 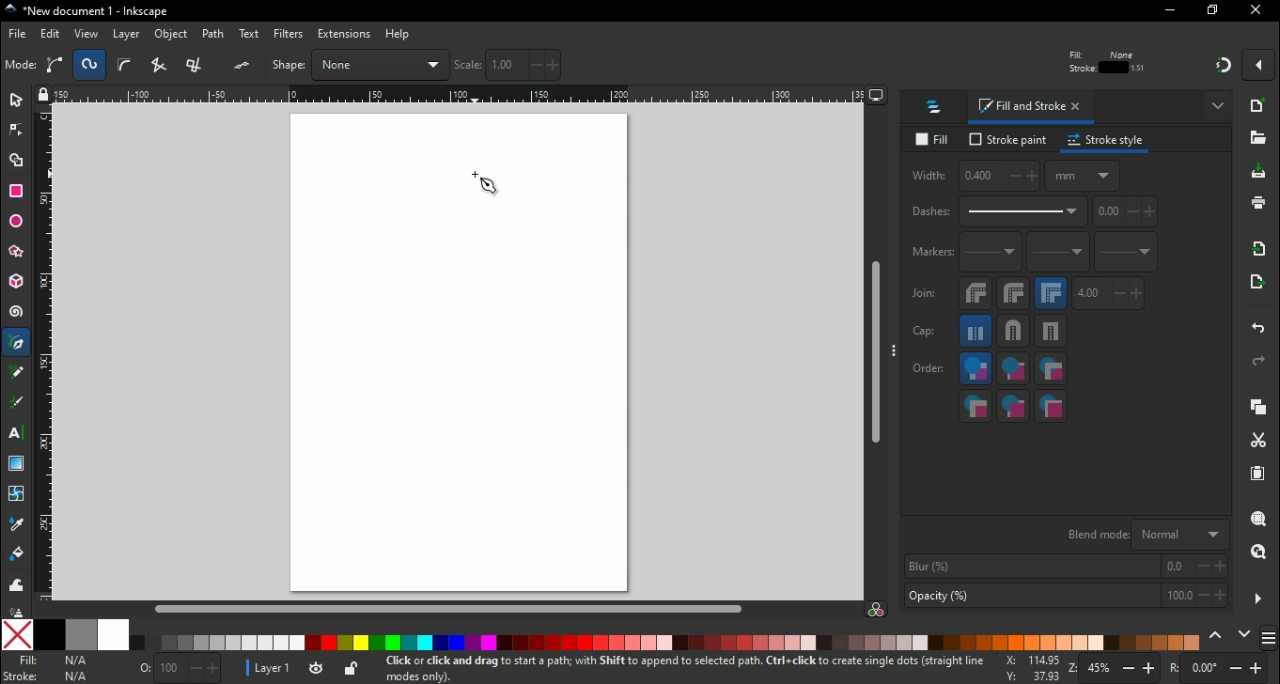 What do you see at coordinates (45, 356) in the screenshot?
I see `vertical ruler` at bounding box center [45, 356].